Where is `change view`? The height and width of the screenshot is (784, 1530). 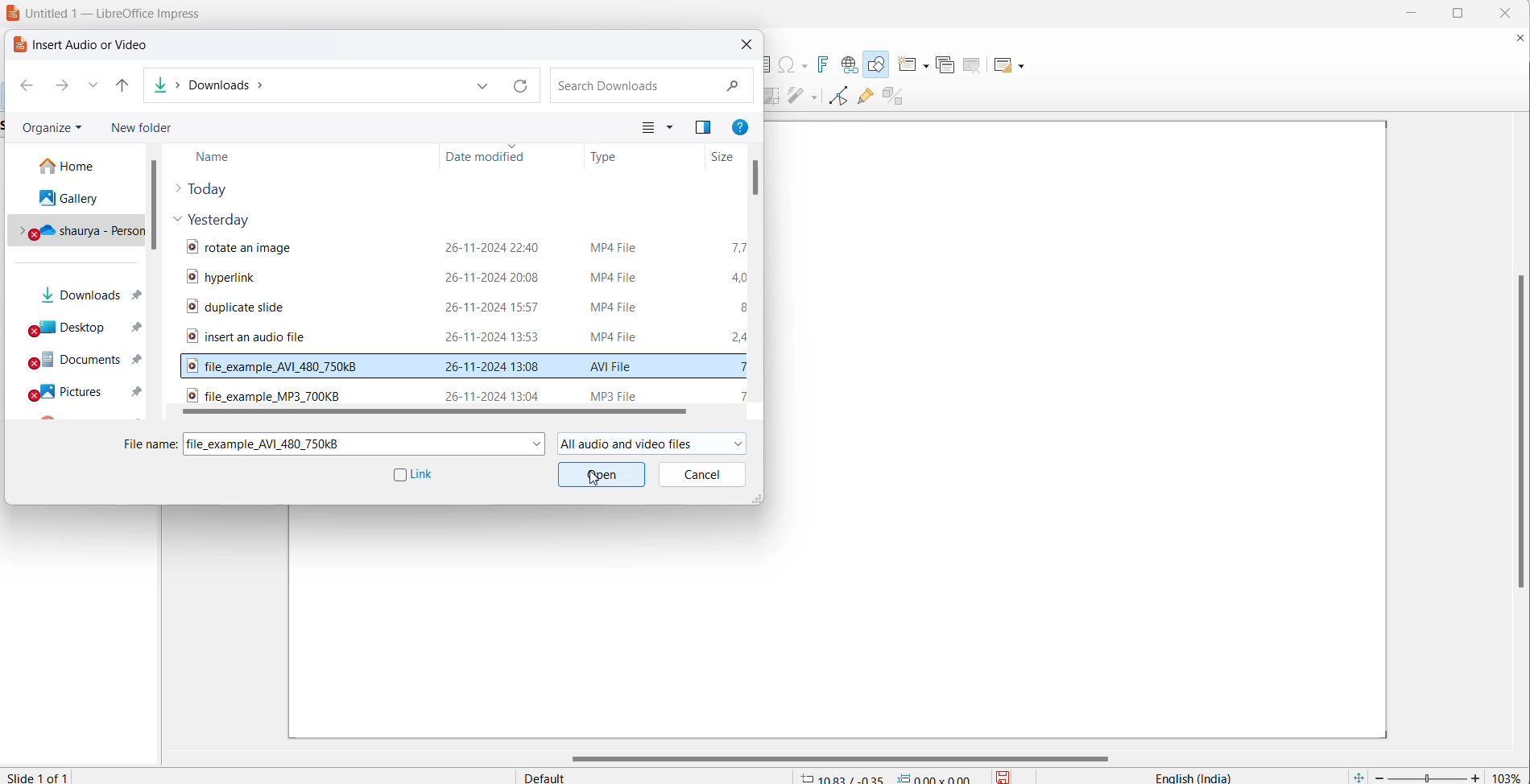
change view is located at coordinates (646, 130).